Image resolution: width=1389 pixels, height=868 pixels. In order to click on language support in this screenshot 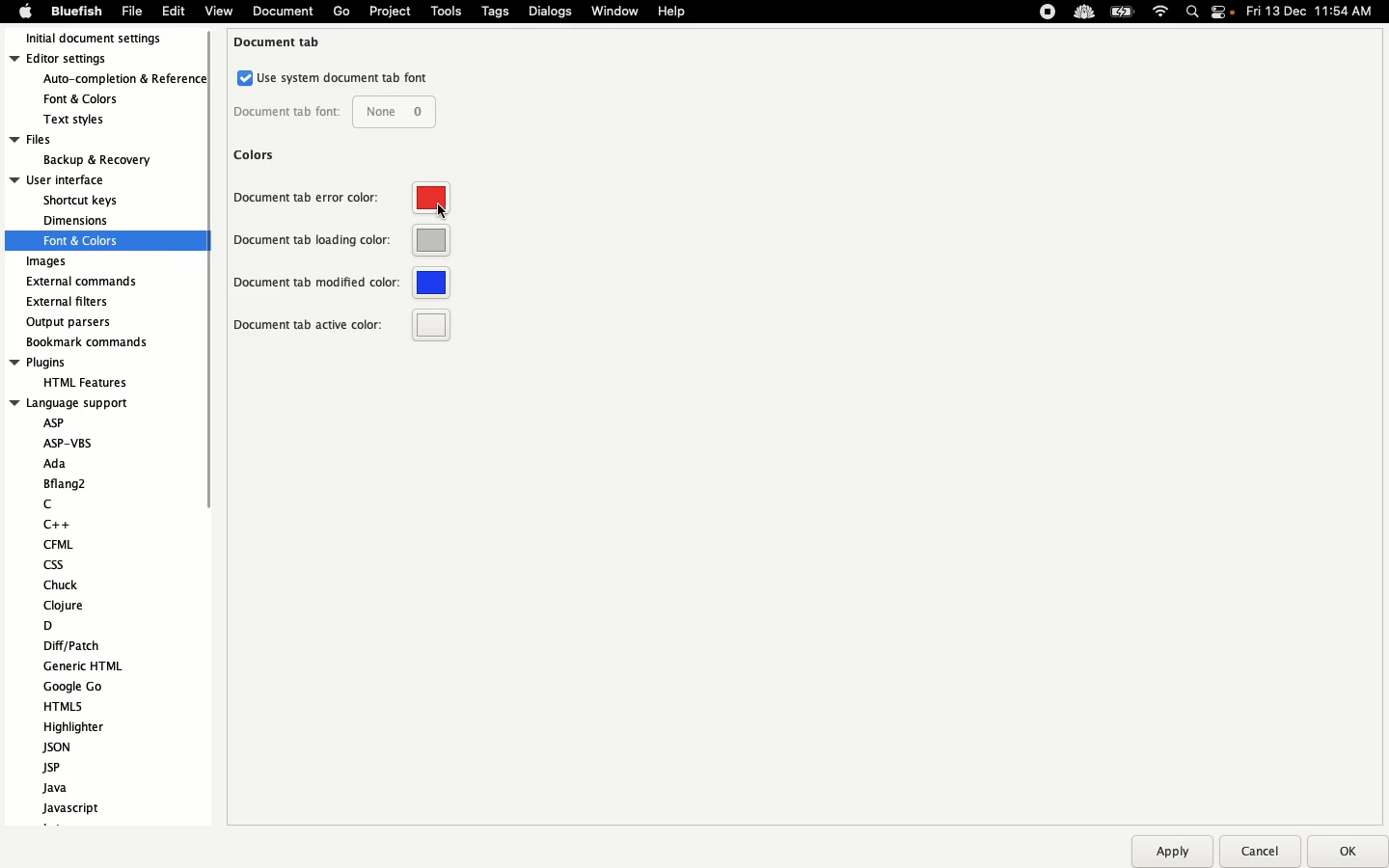, I will do `click(71, 402)`.